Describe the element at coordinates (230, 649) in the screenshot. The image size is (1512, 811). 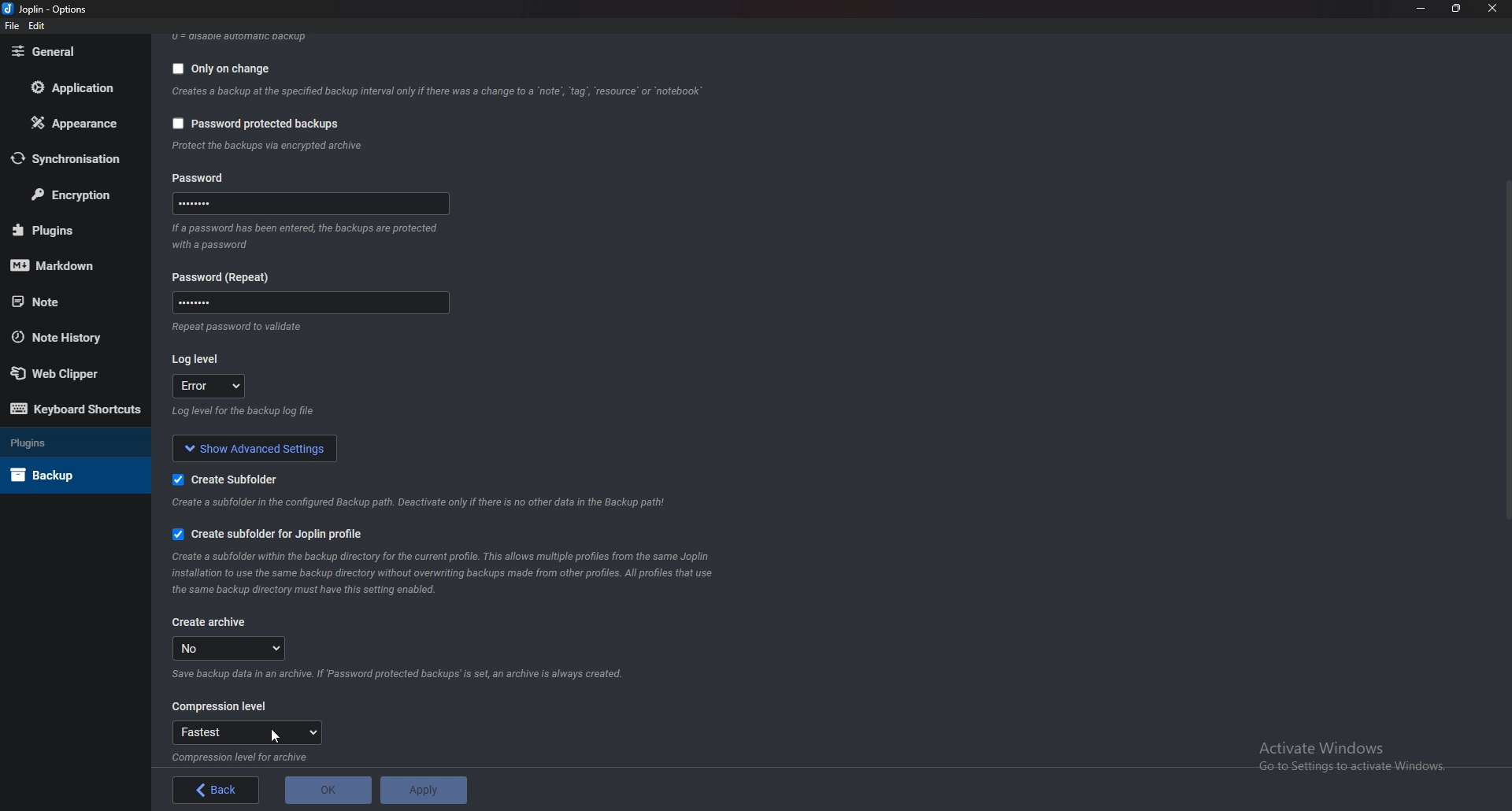
I see `no` at that location.